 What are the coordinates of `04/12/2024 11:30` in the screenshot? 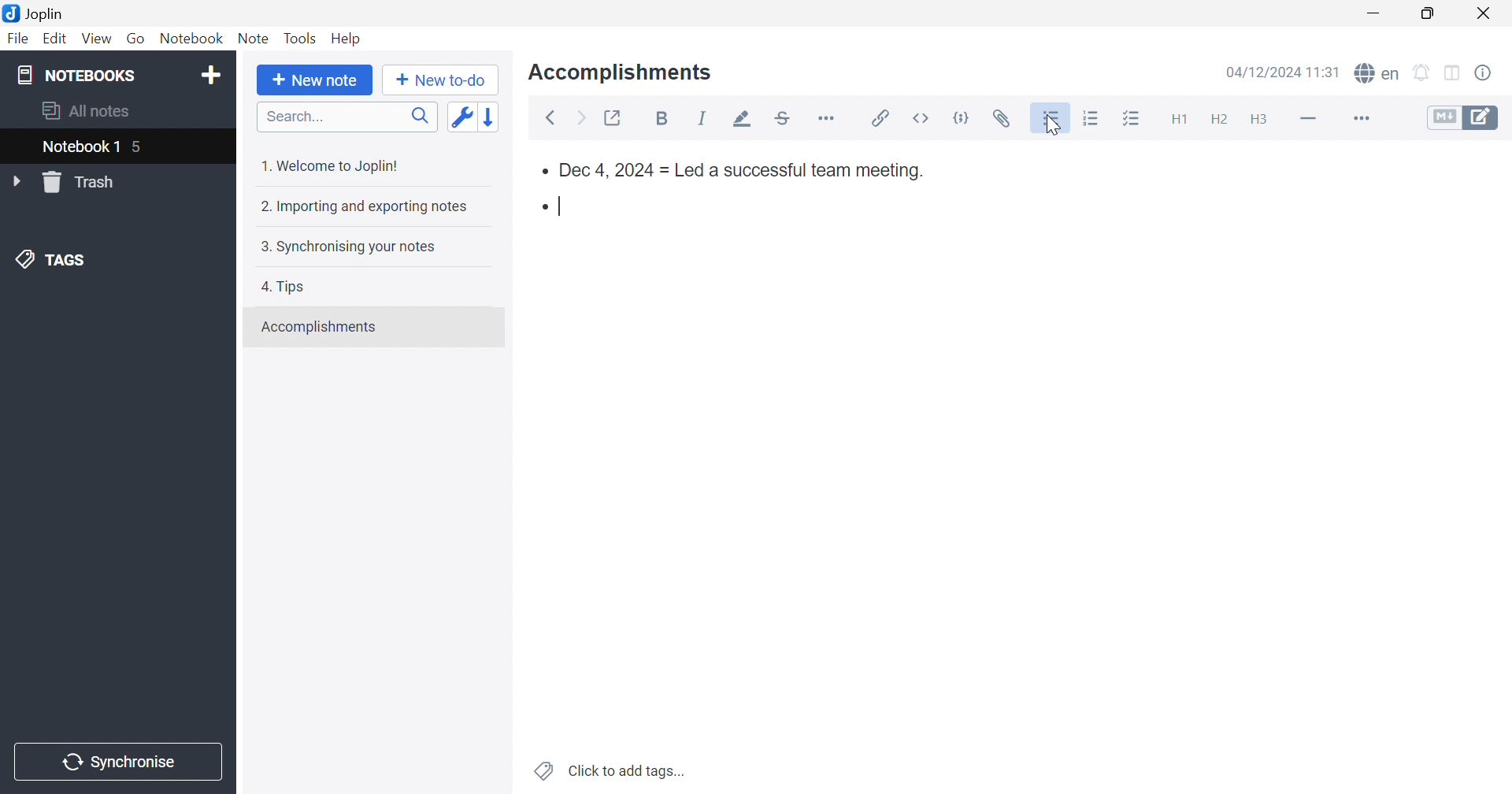 It's located at (1283, 71).